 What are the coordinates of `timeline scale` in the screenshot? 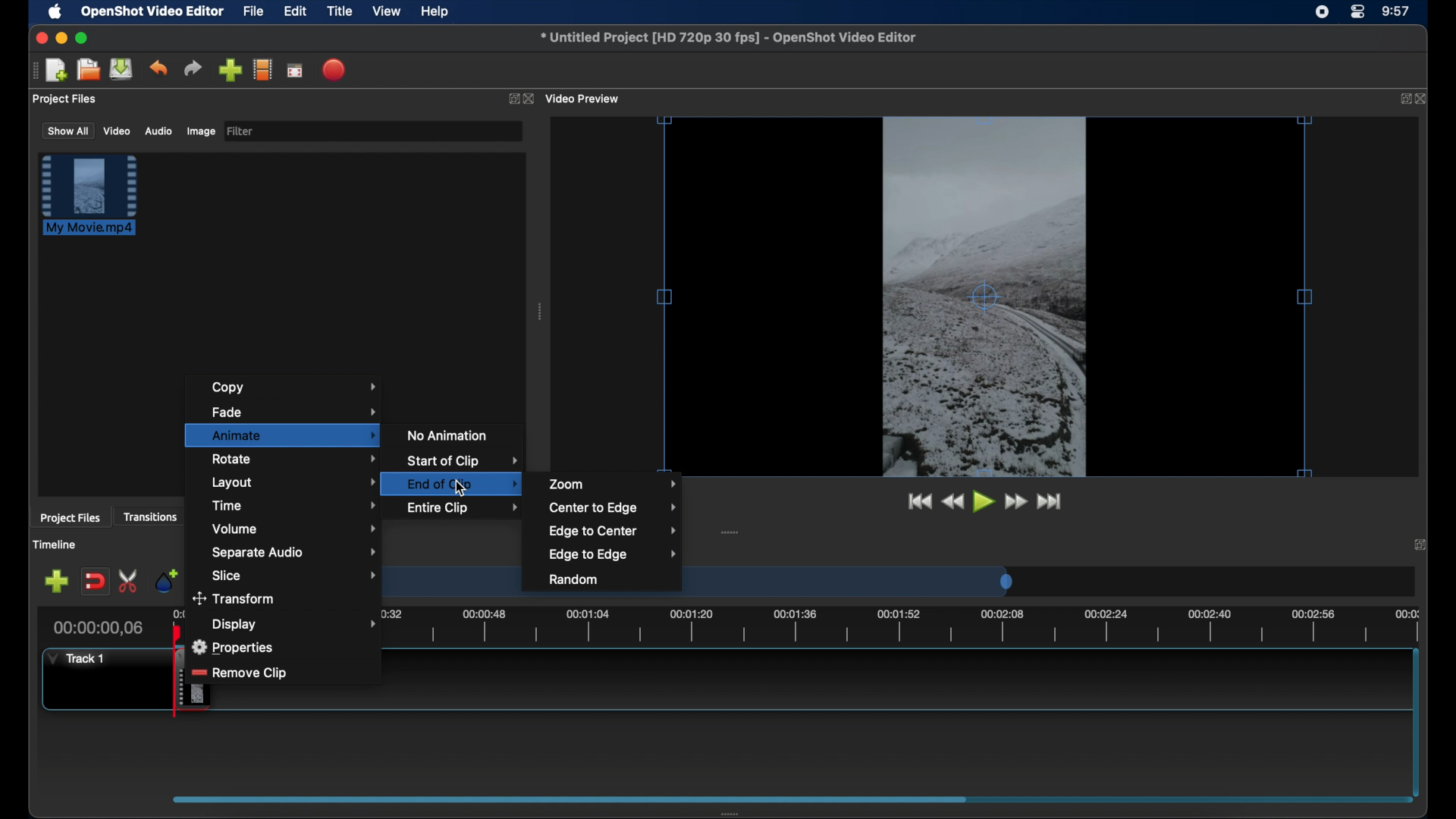 It's located at (841, 587).